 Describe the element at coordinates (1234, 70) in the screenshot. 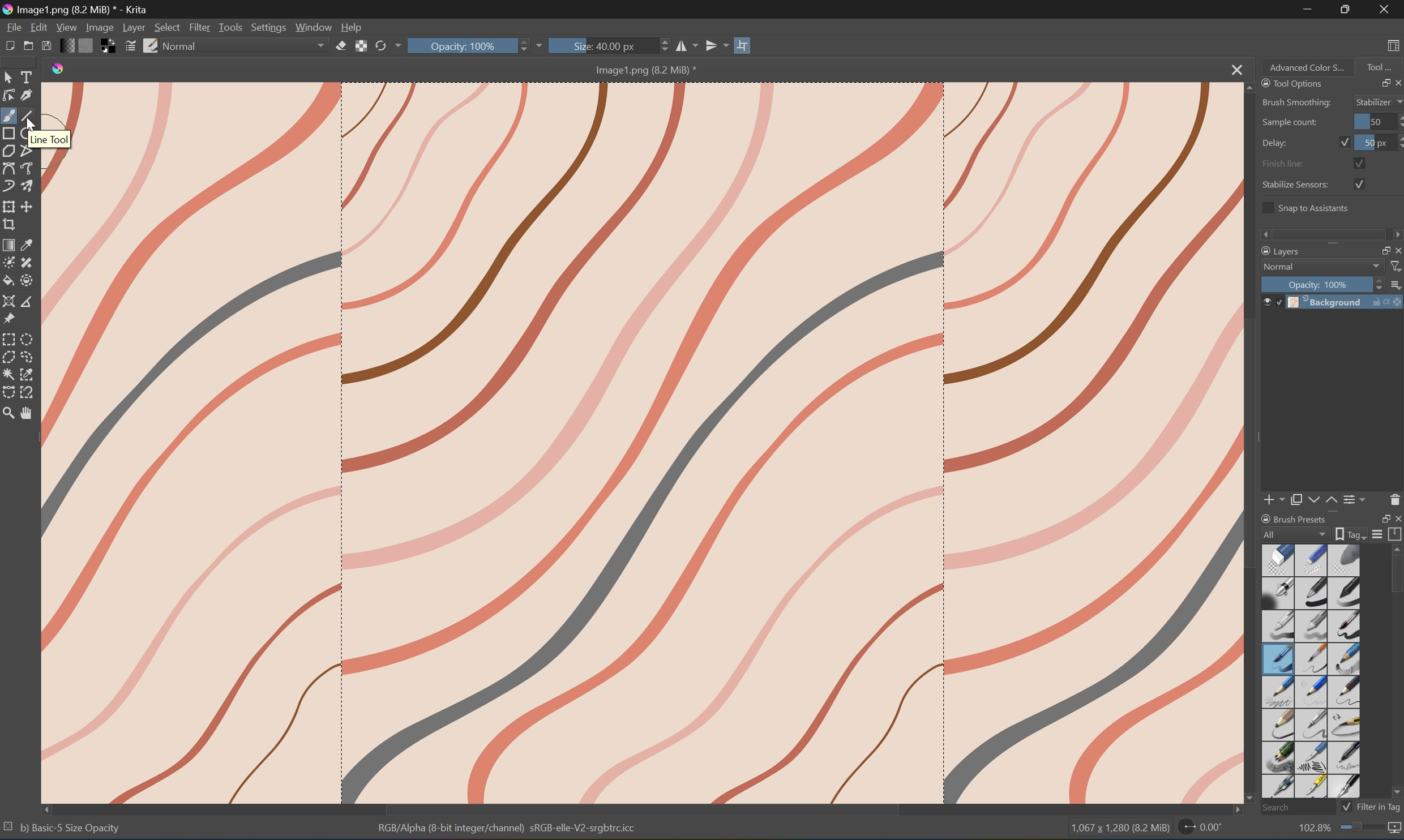

I see `Close` at that location.